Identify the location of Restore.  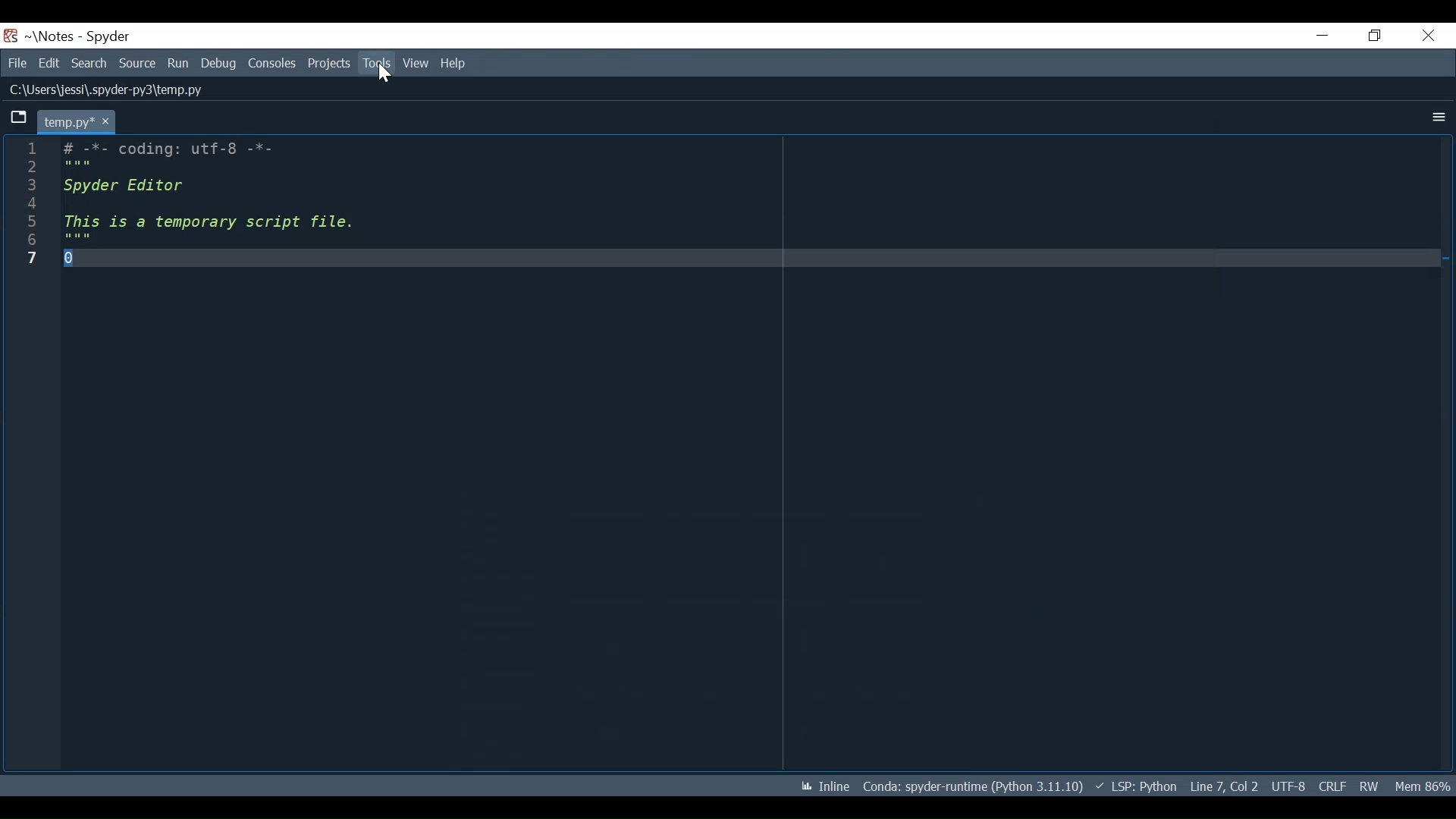
(1373, 35).